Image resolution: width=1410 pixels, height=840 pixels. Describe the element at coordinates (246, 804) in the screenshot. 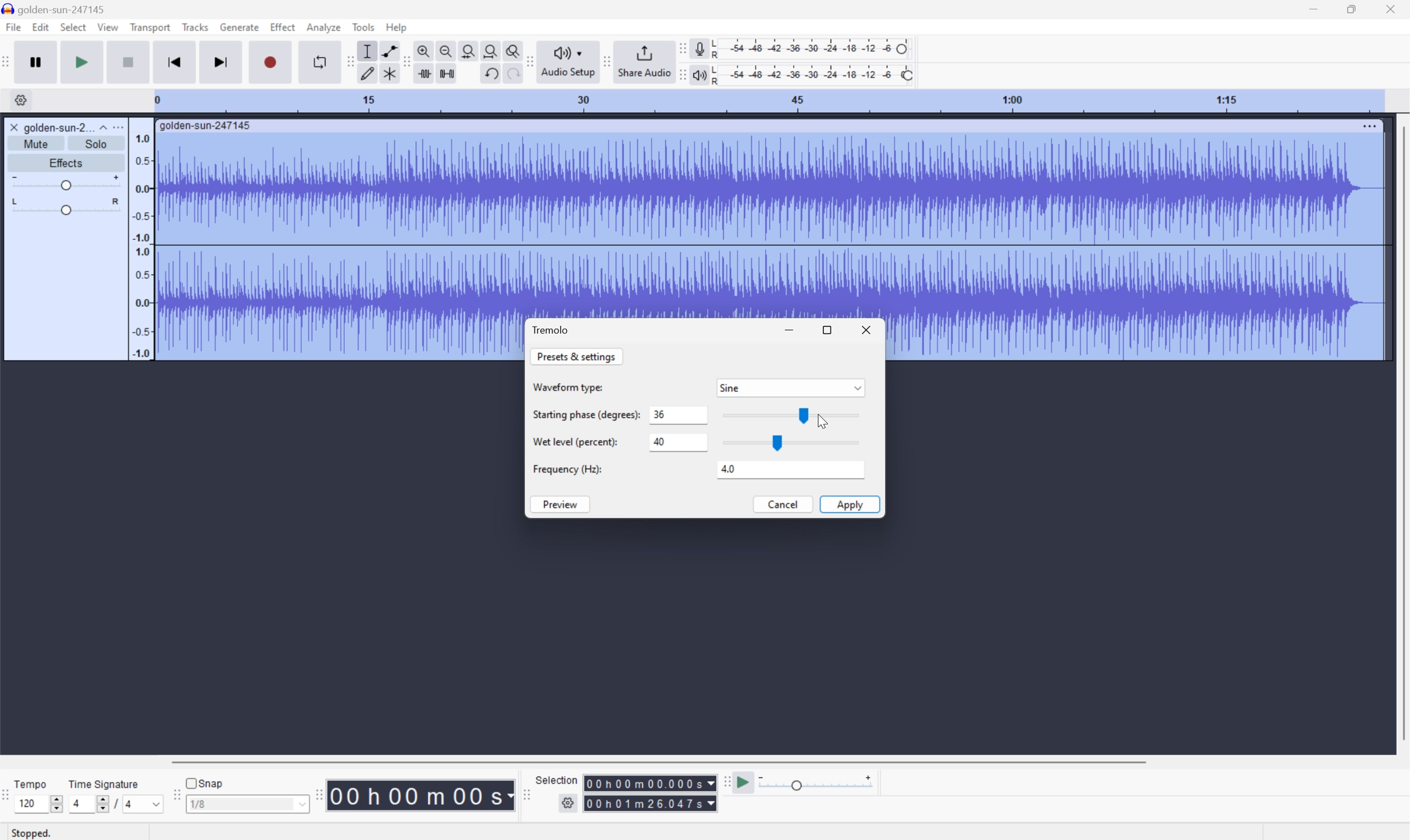

I see `1/8` at that location.